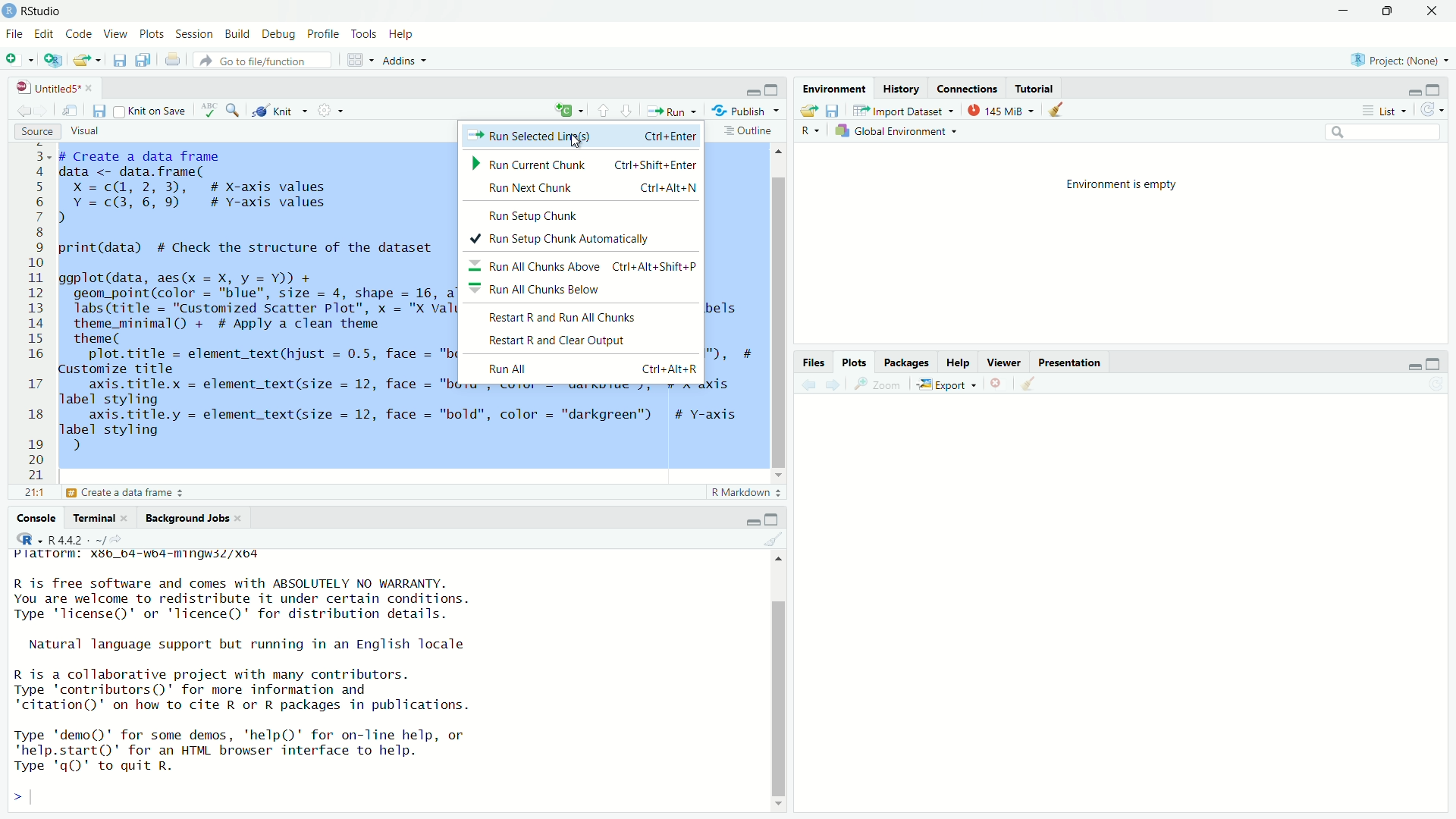  I want to click on Minimize, so click(754, 523).